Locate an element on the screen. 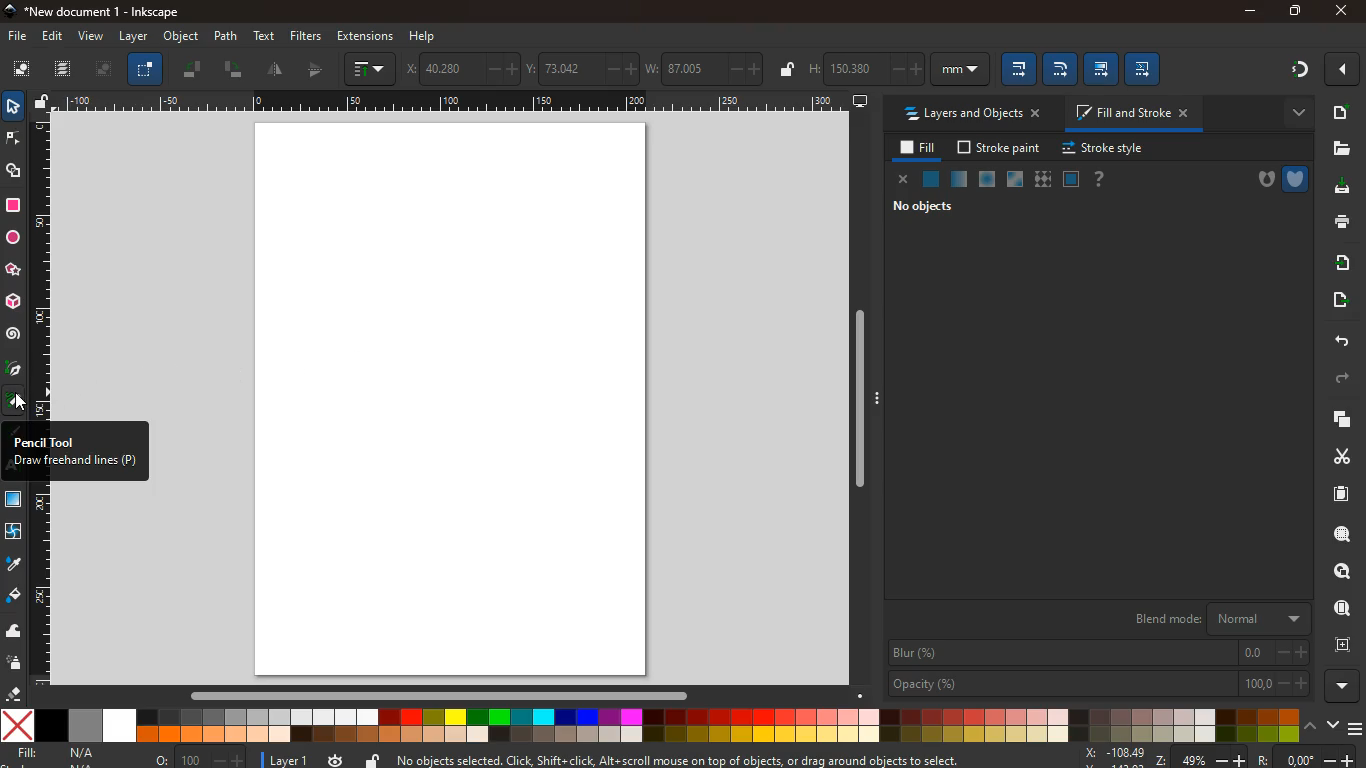 Image resolution: width=1366 pixels, height=768 pixels. wave is located at coordinates (15, 630).